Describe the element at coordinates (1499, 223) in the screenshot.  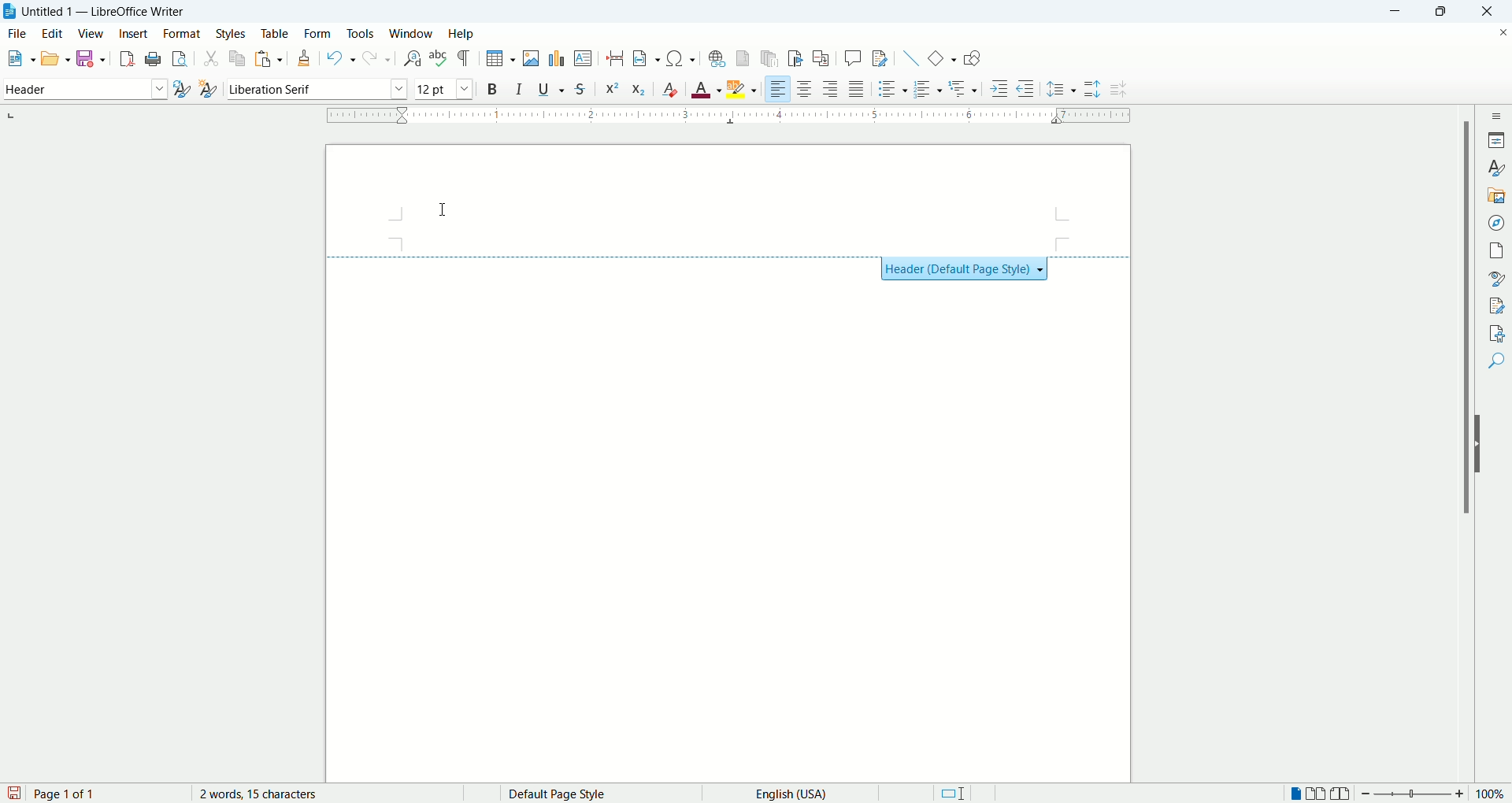
I see `navigator` at that location.